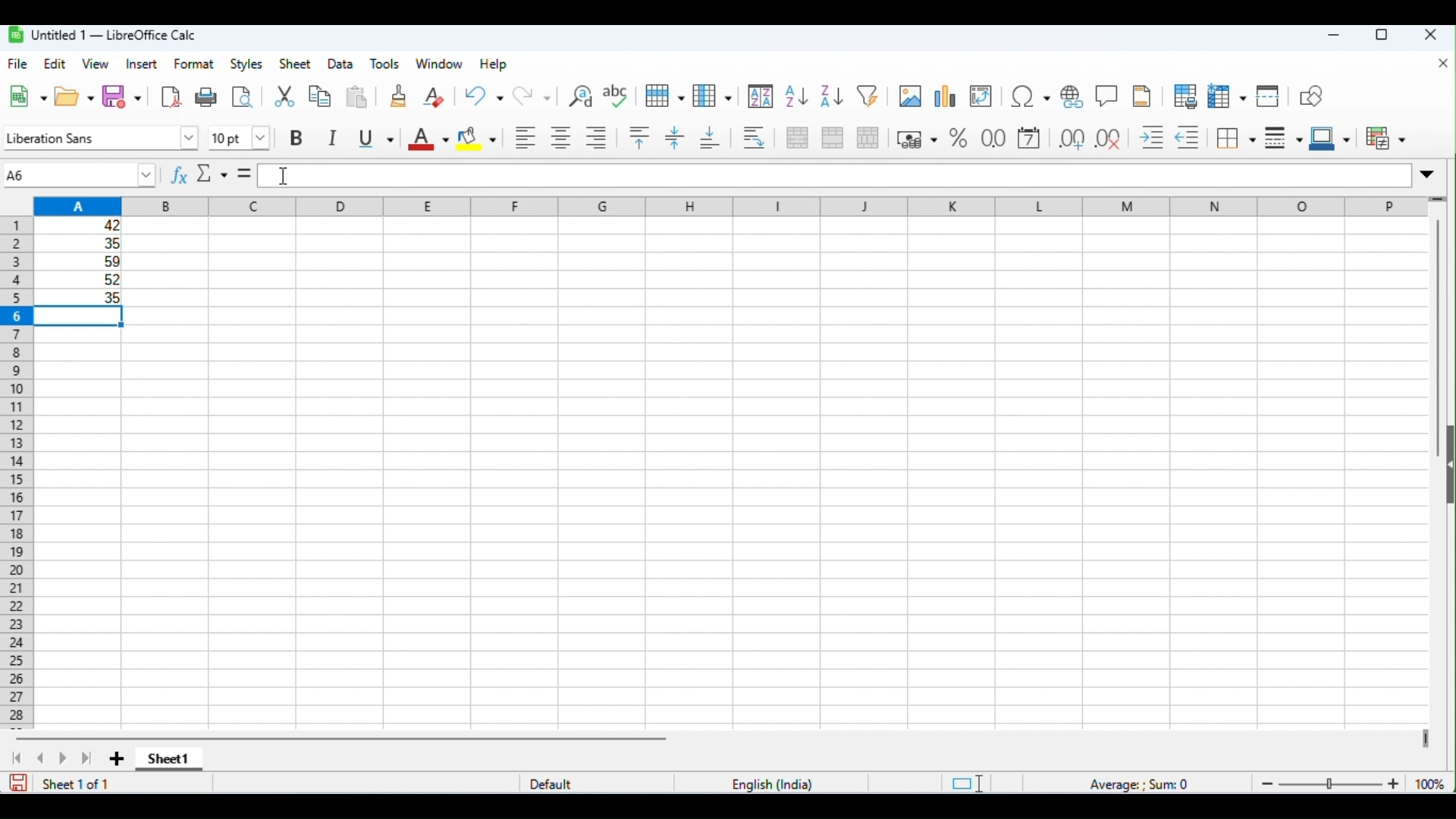 This screenshot has height=819, width=1456. Describe the element at coordinates (74, 97) in the screenshot. I see `open` at that location.